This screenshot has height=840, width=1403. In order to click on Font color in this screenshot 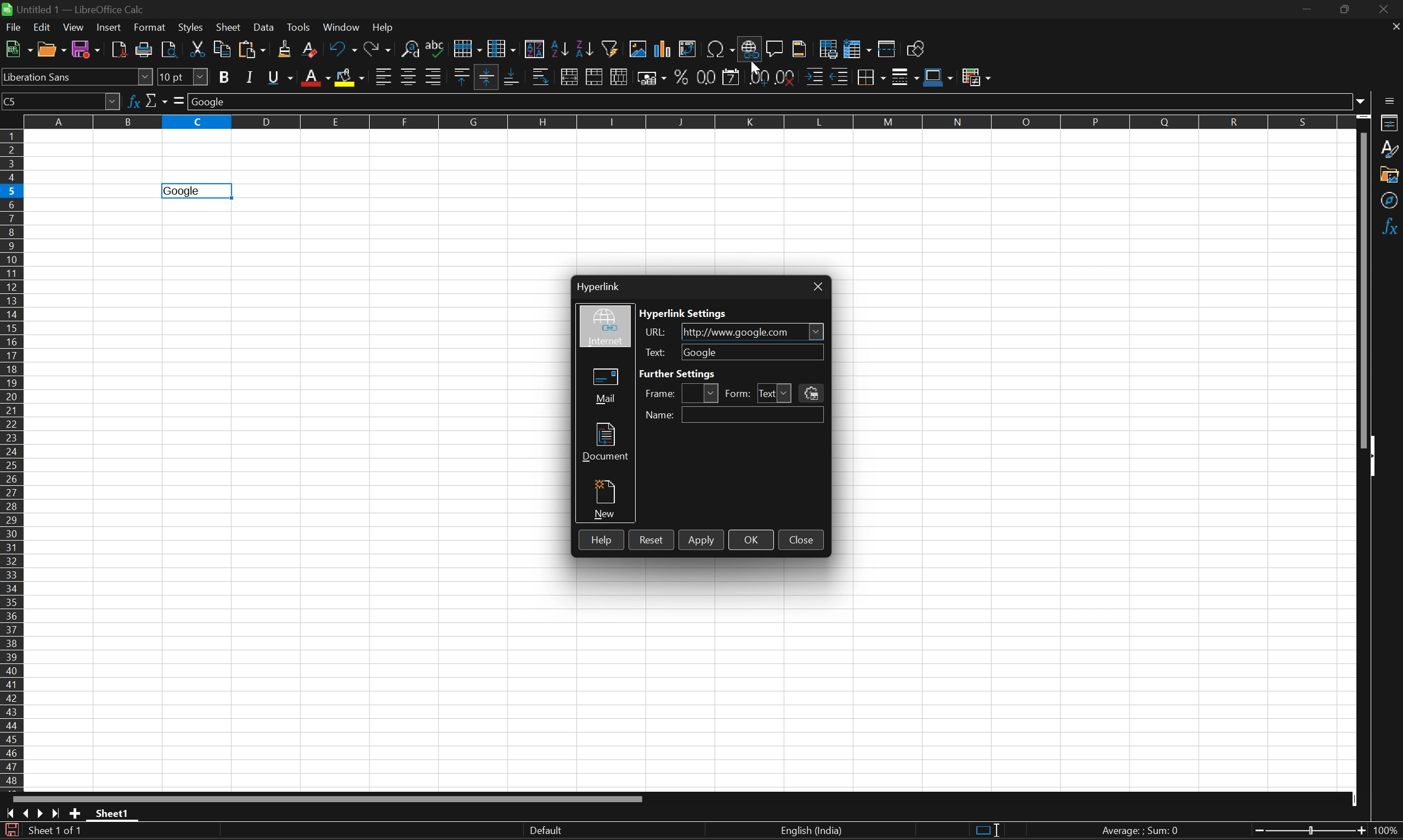, I will do `click(314, 78)`.